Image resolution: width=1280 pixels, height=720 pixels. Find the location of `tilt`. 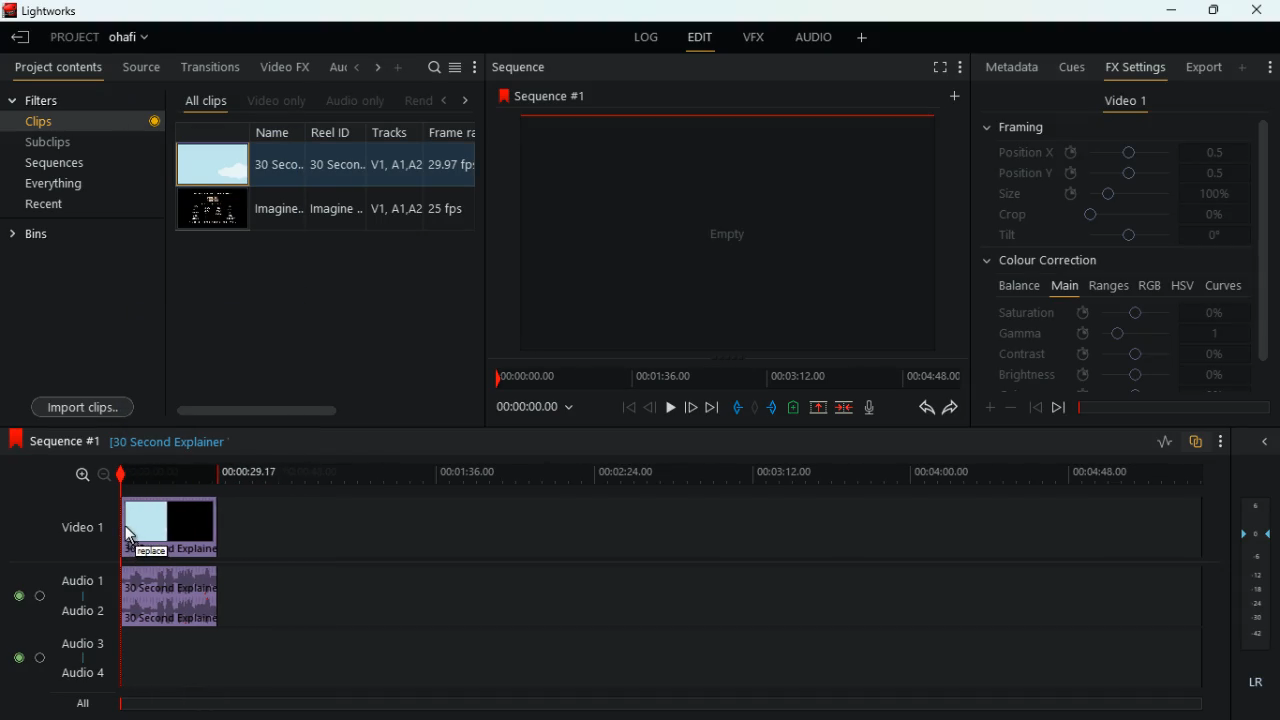

tilt is located at coordinates (1115, 237).